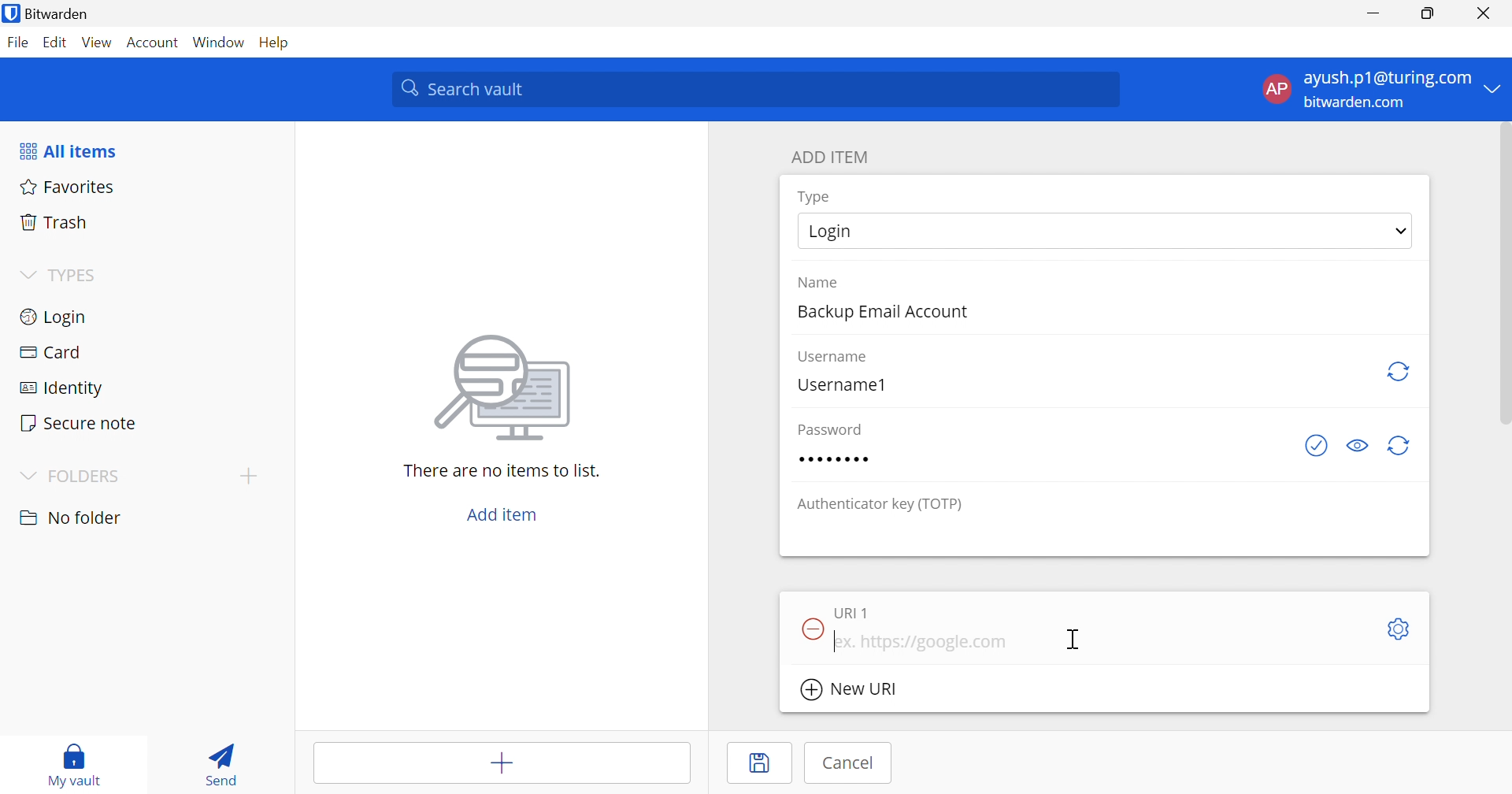 Image resolution: width=1512 pixels, height=794 pixels. Describe the element at coordinates (1401, 630) in the screenshot. I see `Toggle options` at that location.